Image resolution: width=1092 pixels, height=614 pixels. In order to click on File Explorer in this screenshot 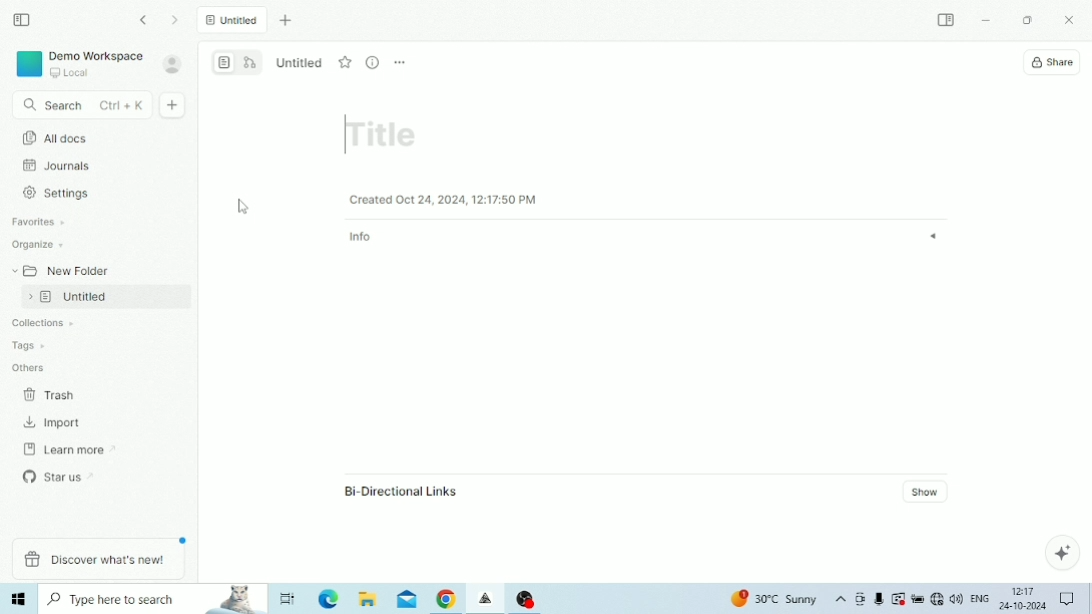, I will do `click(368, 599)`.